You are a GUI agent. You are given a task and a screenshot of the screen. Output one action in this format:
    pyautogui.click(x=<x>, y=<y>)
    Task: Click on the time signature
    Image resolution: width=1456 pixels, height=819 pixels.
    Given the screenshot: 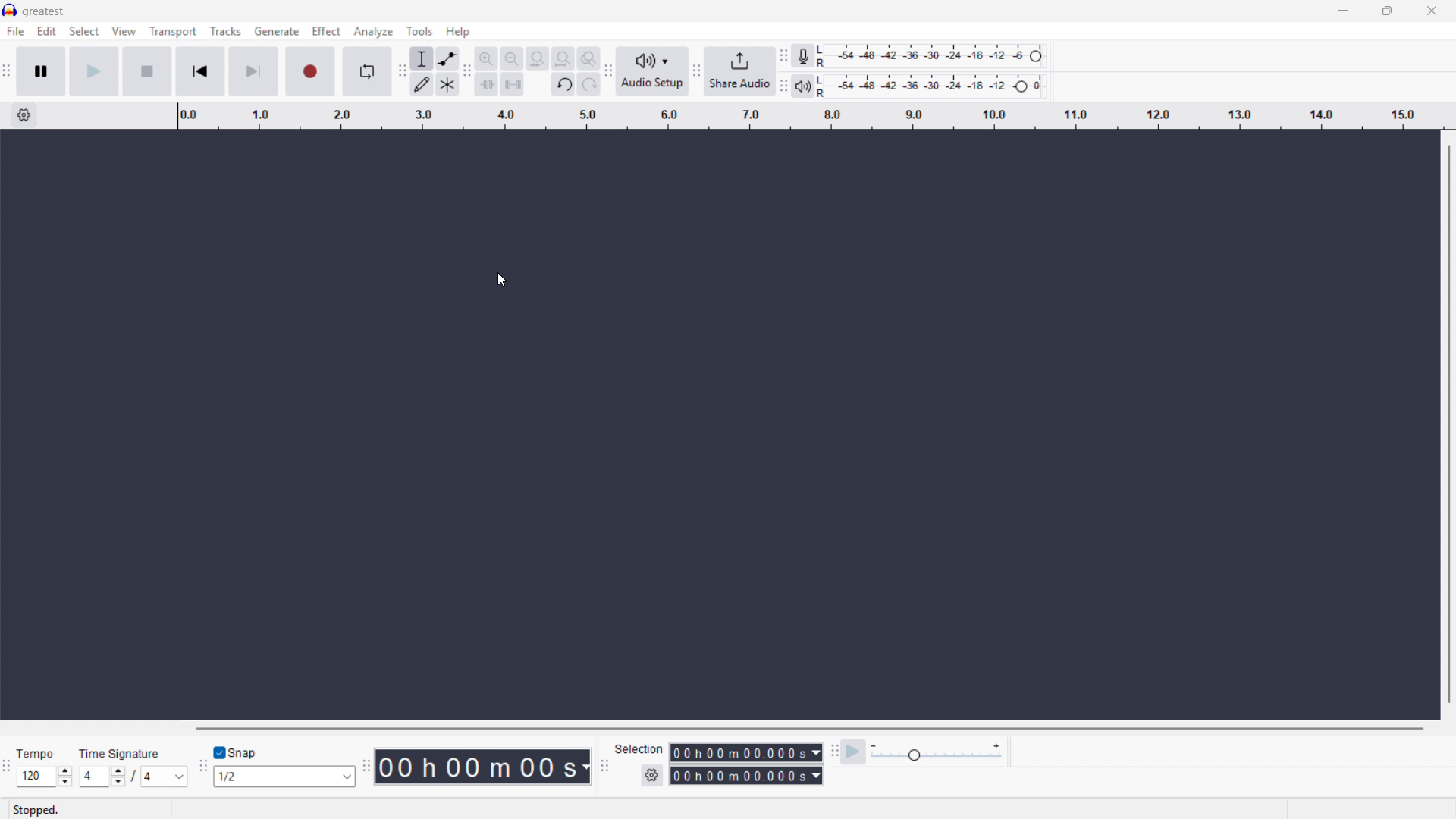 What is the action you would take?
    pyautogui.click(x=121, y=754)
    